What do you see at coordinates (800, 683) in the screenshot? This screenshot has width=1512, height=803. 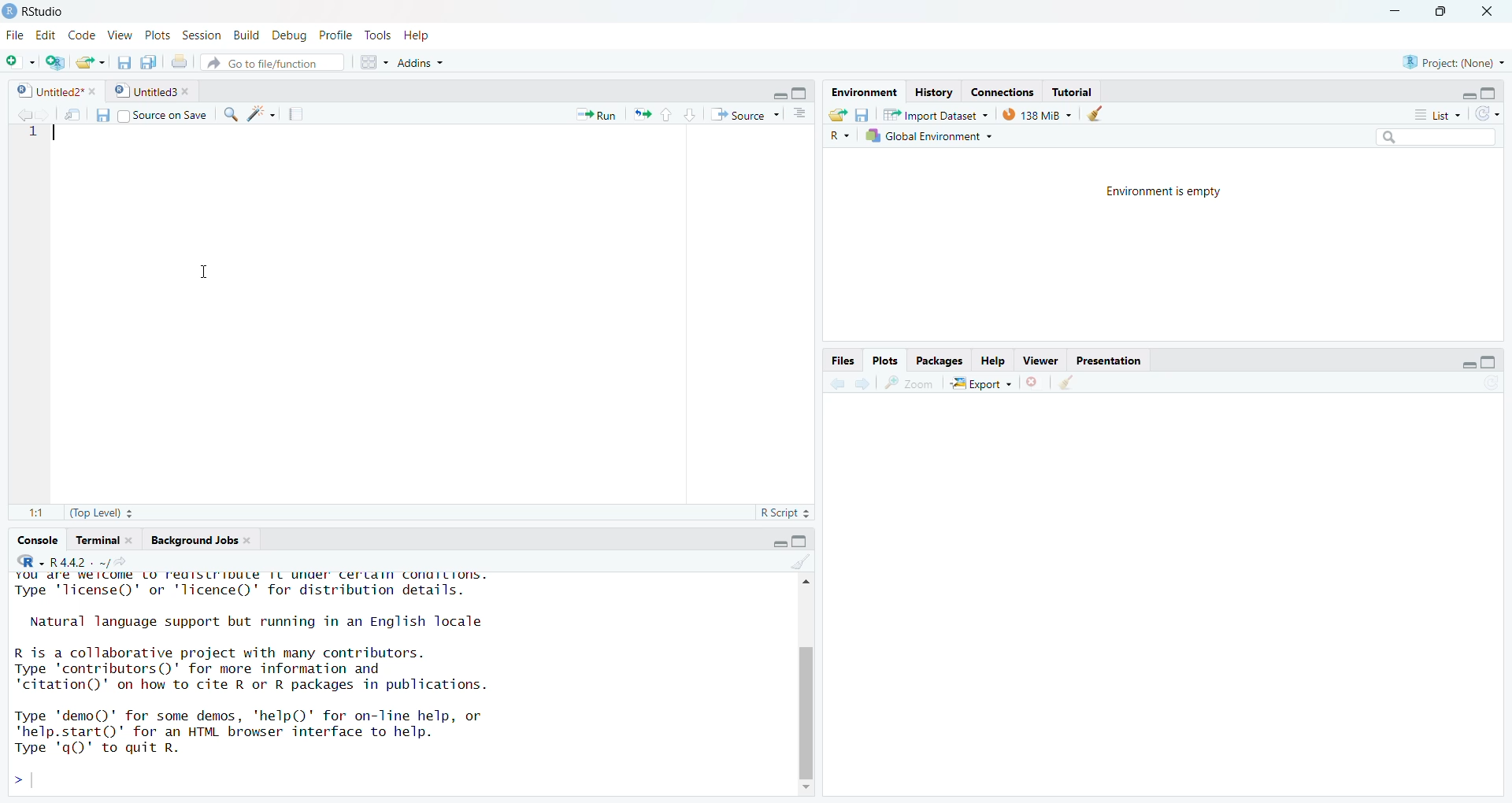 I see `scrollbar` at bounding box center [800, 683].